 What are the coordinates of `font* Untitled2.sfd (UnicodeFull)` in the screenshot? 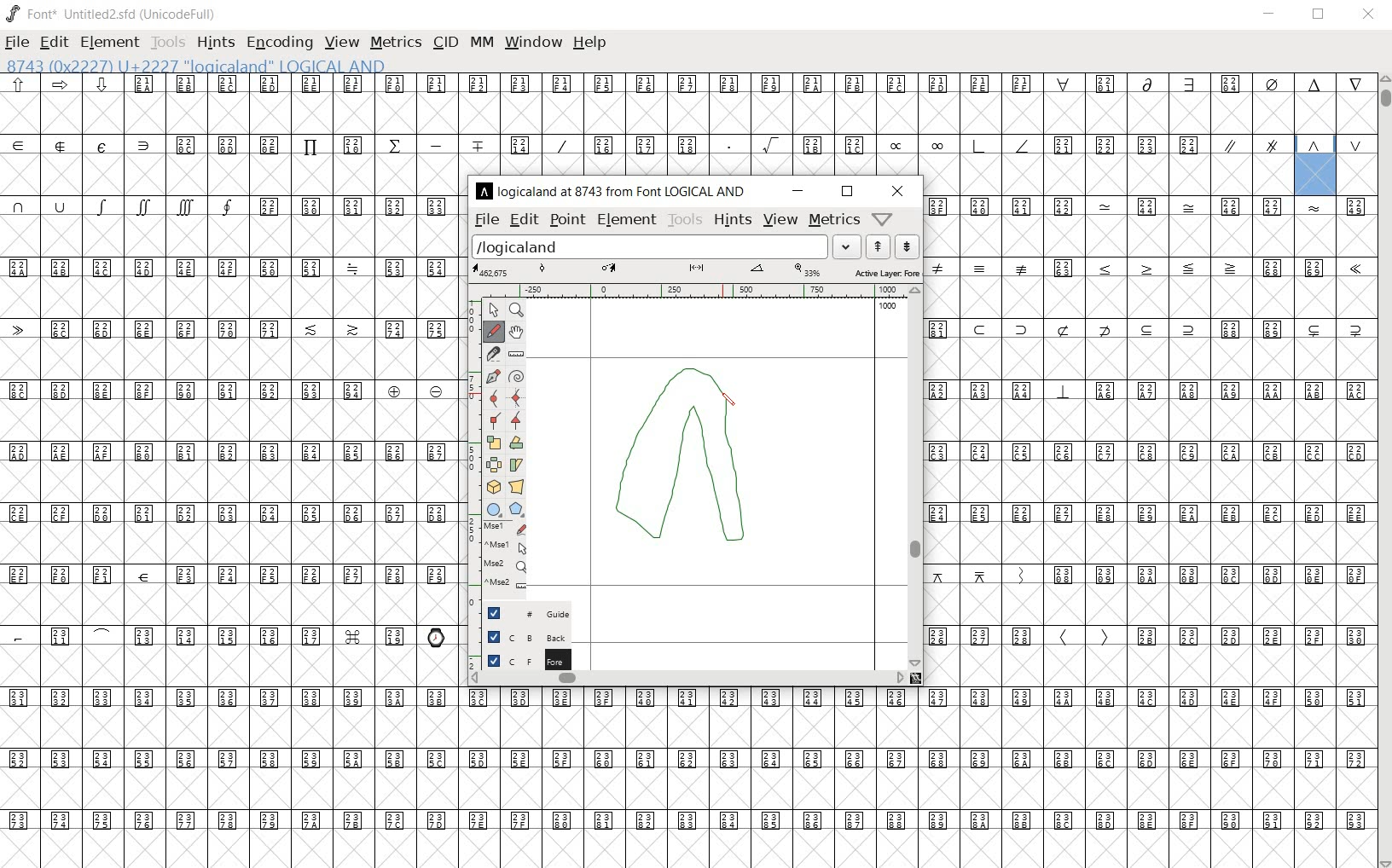 It's located at (113, 14).